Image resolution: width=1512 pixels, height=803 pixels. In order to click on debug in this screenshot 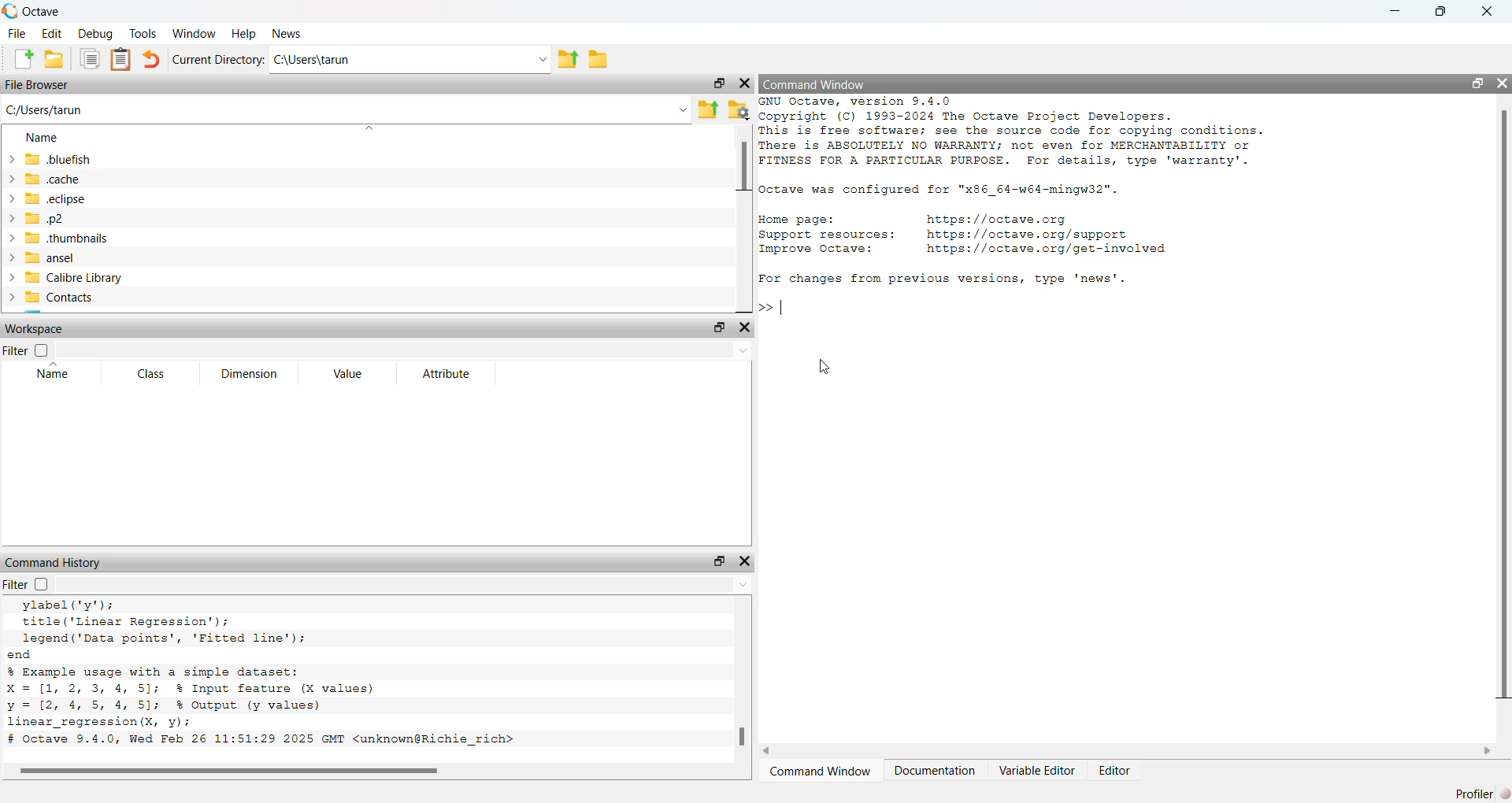, I will do `click(94, 33)`.